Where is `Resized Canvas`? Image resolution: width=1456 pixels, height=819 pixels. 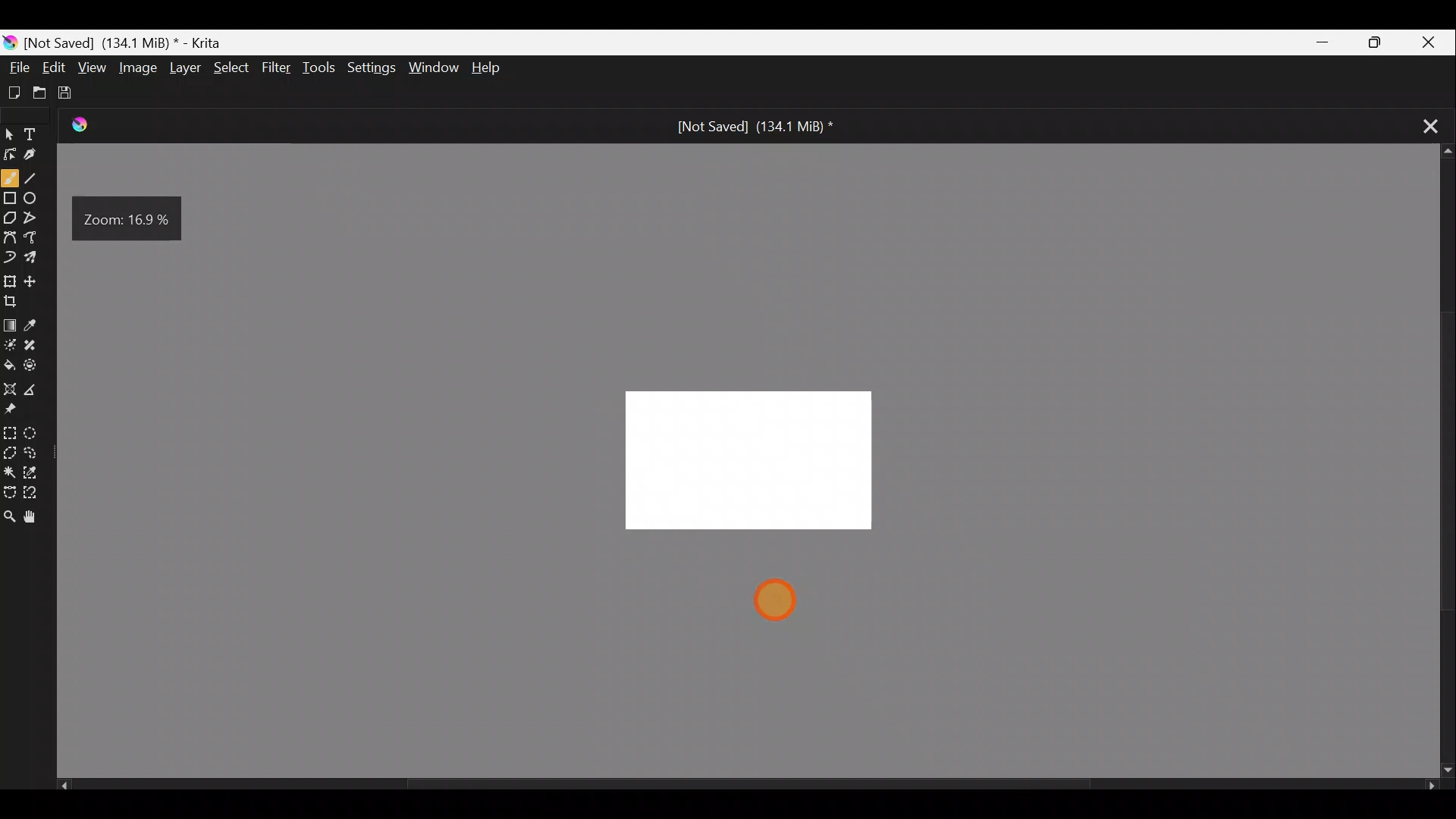 Resized Canvas is located at coordinates (761, 461).